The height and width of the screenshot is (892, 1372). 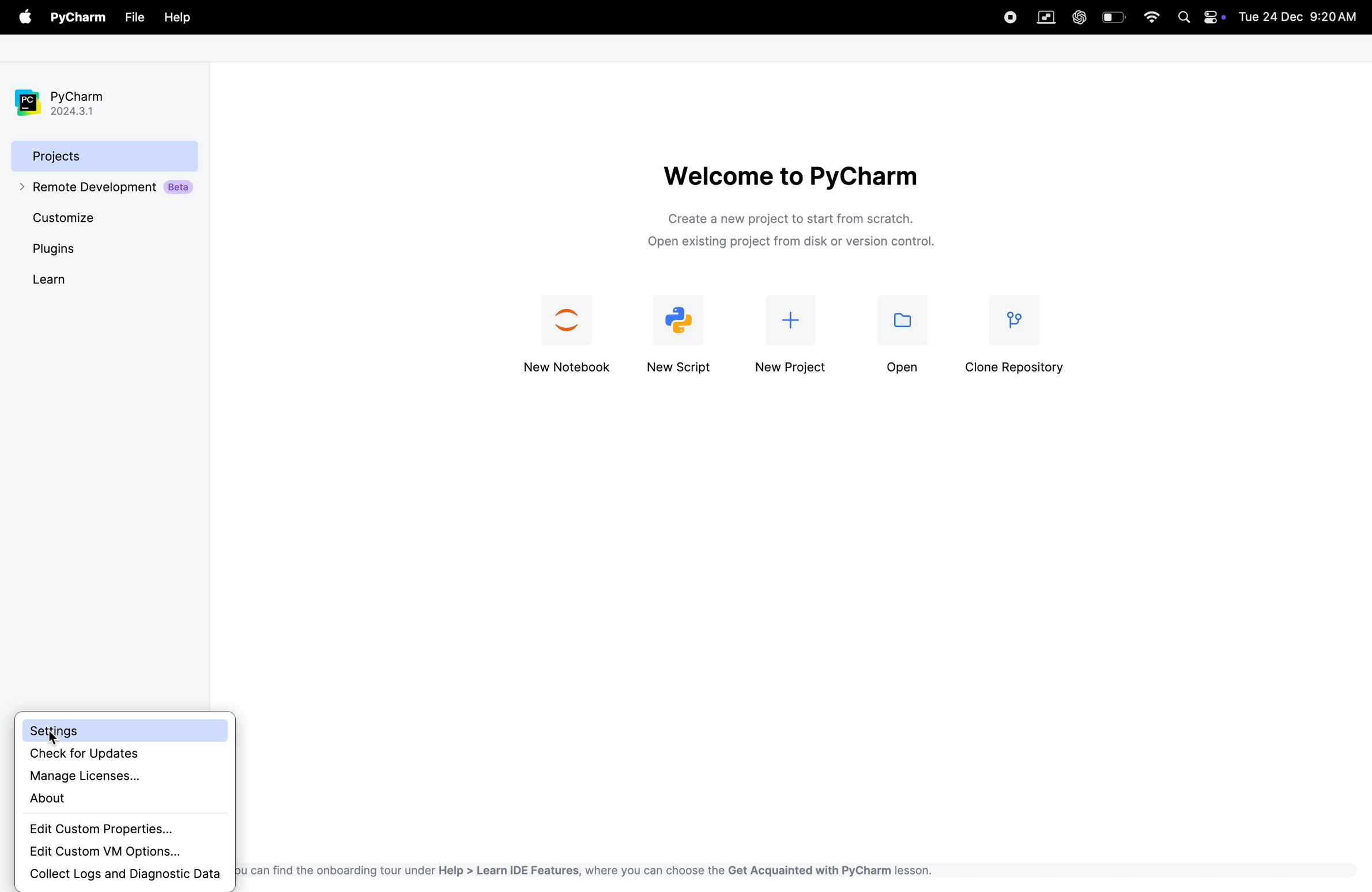 What do you see at coordinates (1152, 17) in the screenshot?
I see `wifi` at bounding box center [1152, 17].